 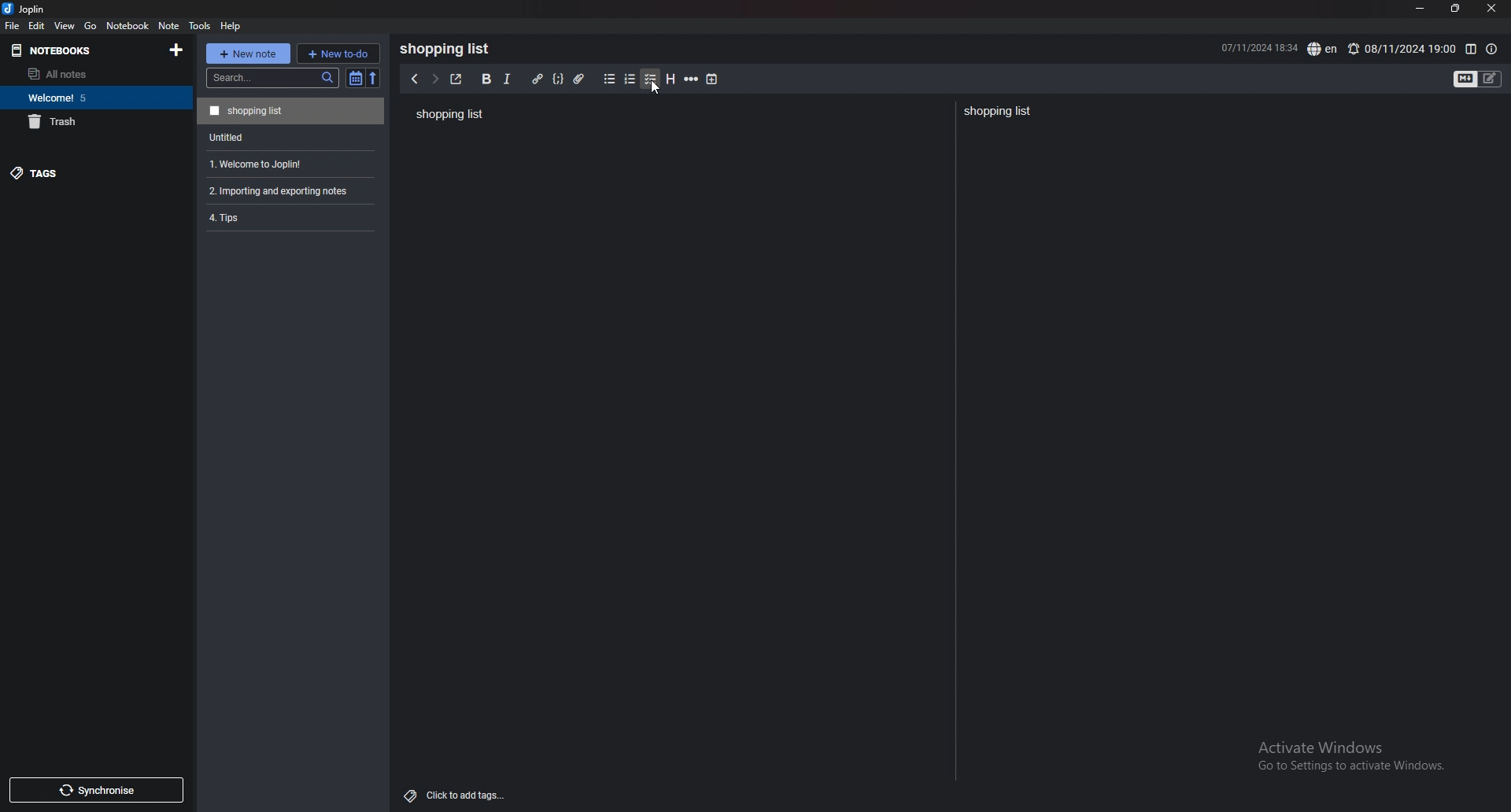 I want to click on tools, so click(x=199, y=26).